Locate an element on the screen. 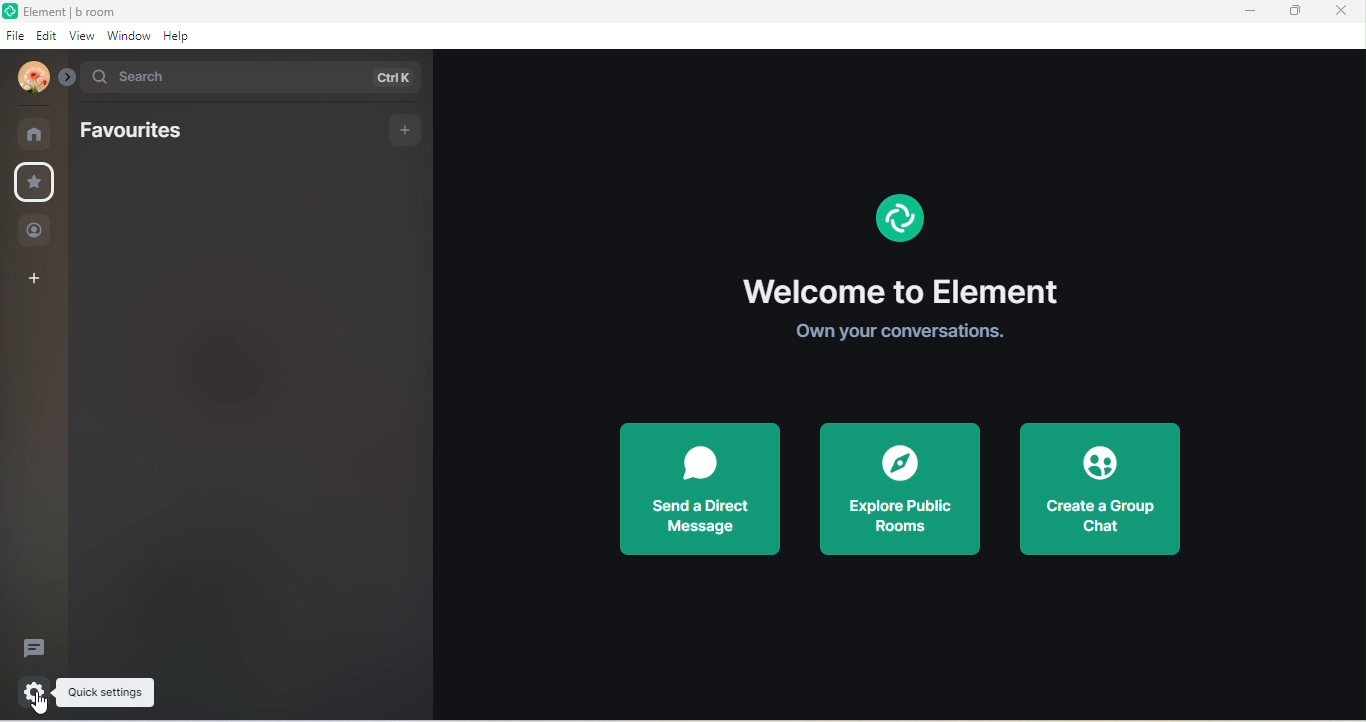 Image resolution: width=1366 pixels, height=722 pixels. add is located at coordinates (405, 127).